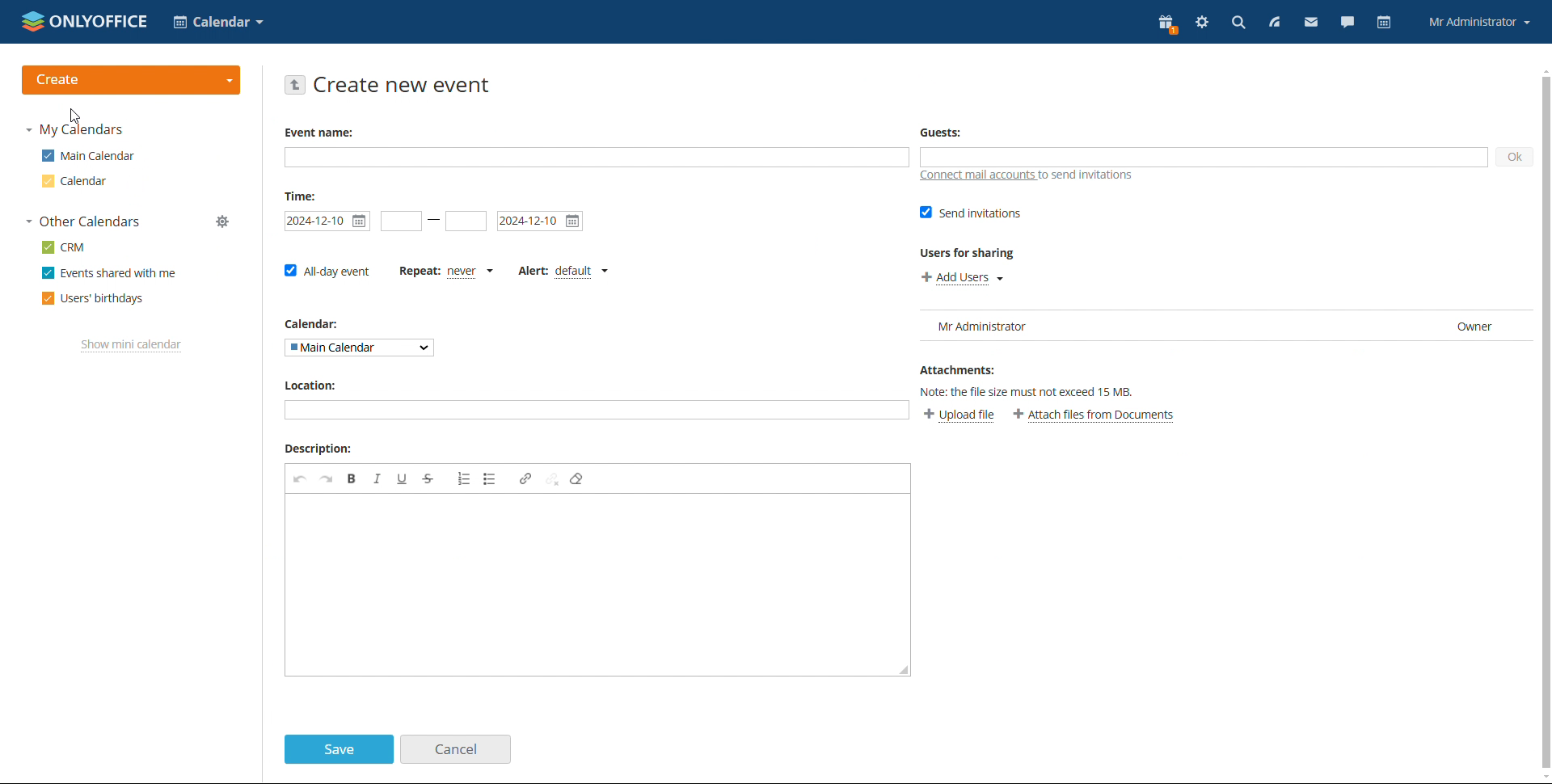 The height and width of the screenshot is (784, 1552). What do you see at coordinates (338, 749) in the screenshot?
I see `save` at bounding box center [338, 749].